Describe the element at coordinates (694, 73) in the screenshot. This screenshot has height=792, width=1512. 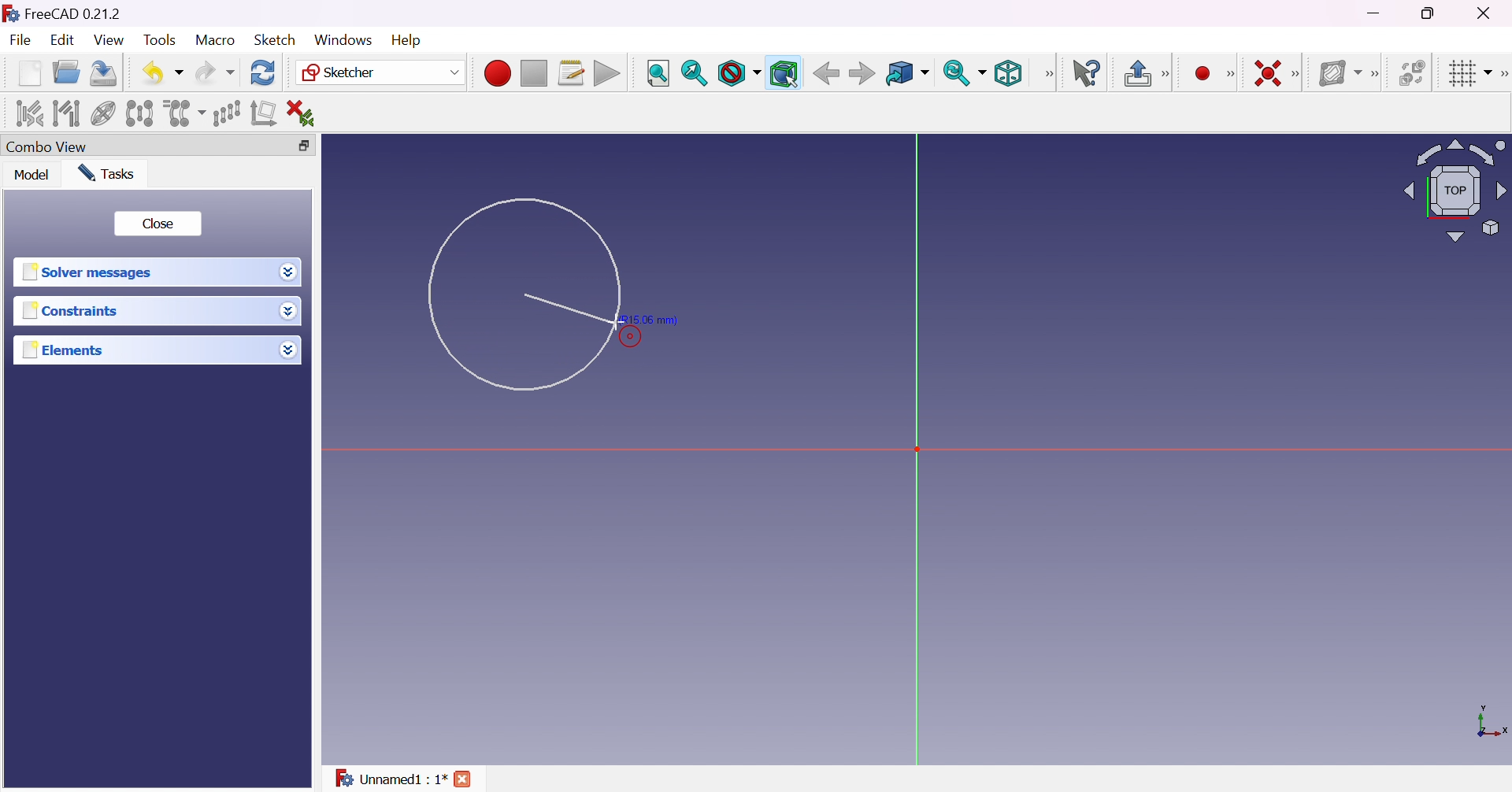
I see `Fit selection` at that location.